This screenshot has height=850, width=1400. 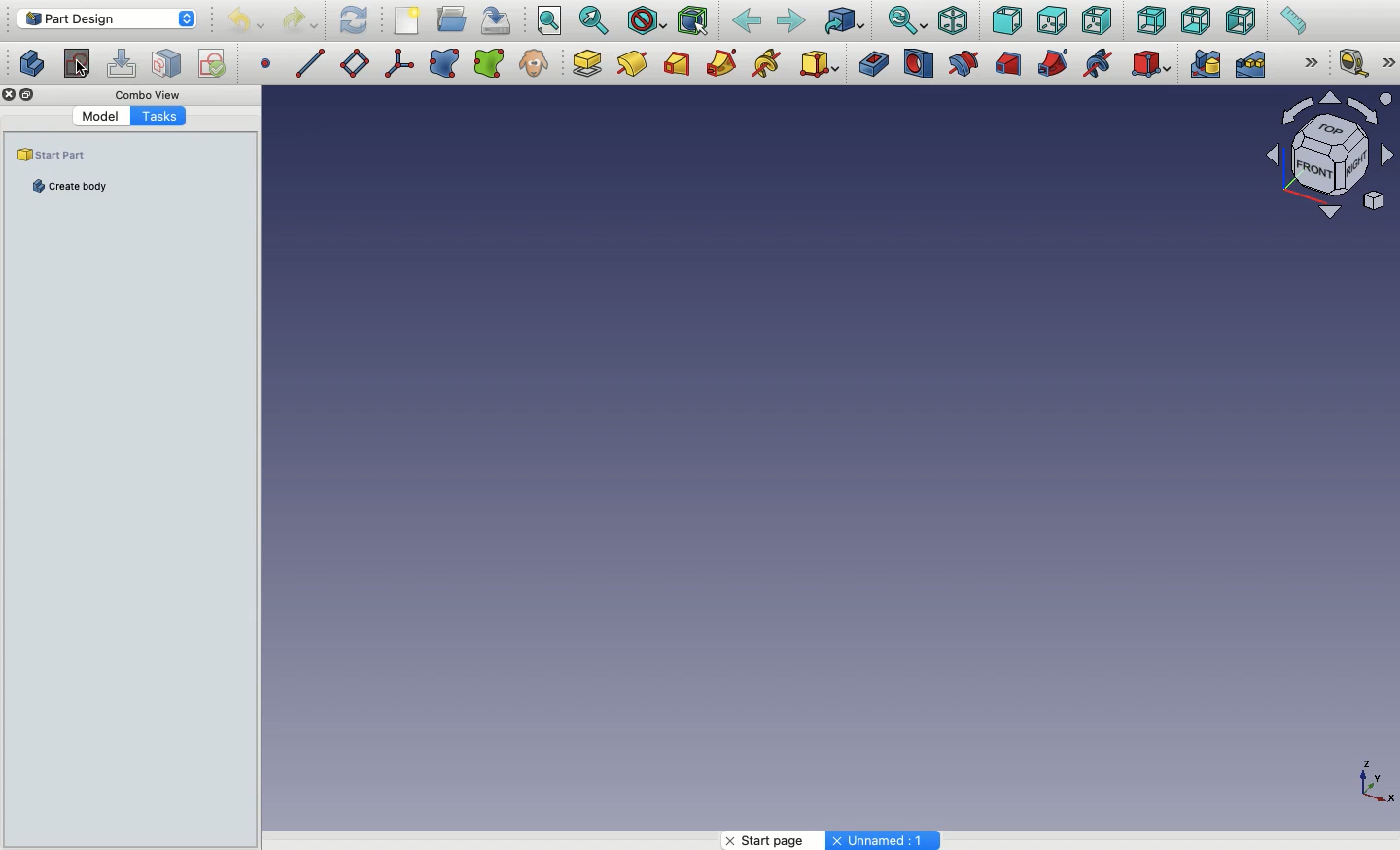 I want to click on Back, so click(x=748, y=21).